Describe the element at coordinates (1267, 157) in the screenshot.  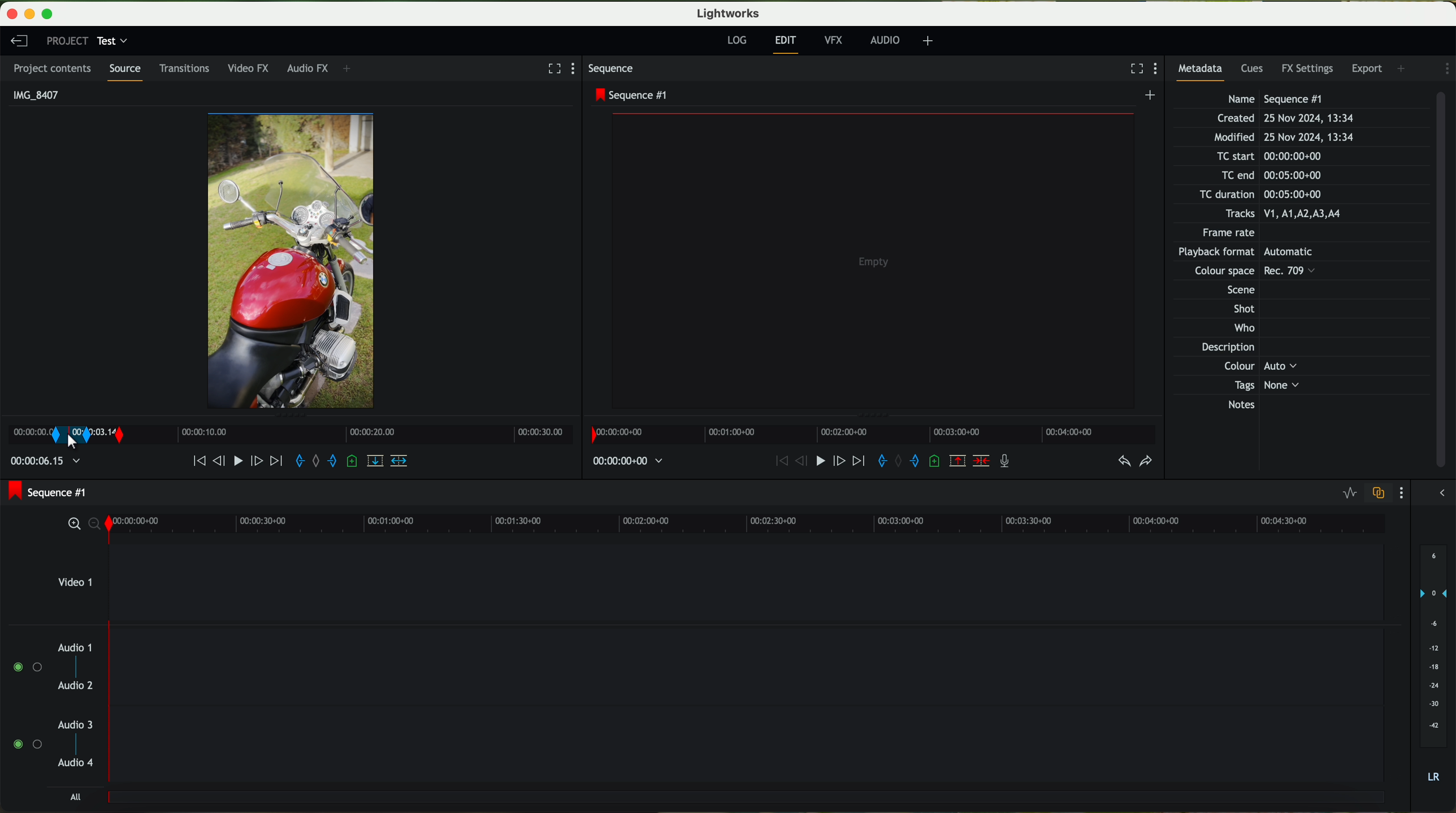
I see `TC start` at that location.